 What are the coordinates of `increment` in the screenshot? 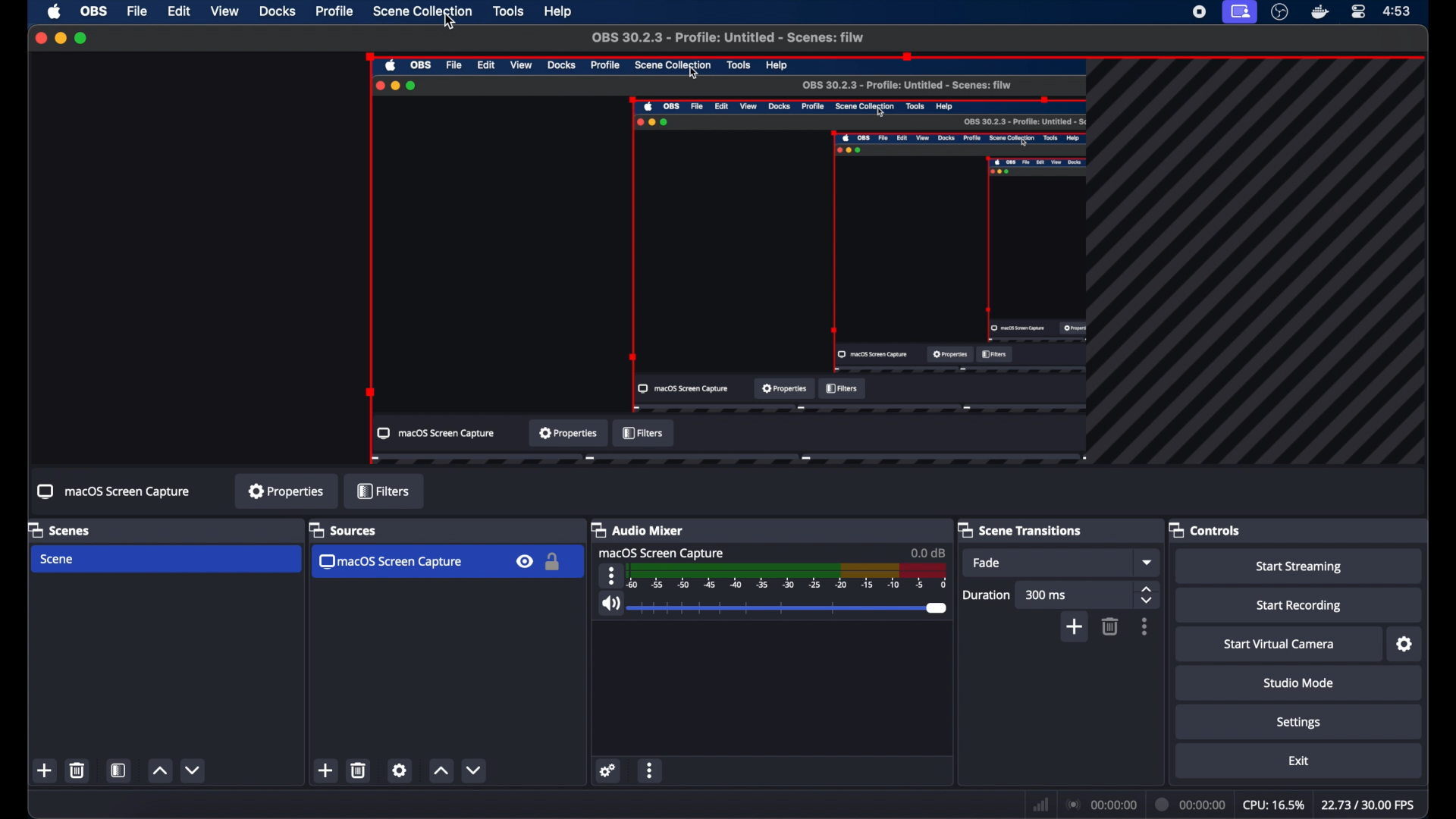 It's located at (159, 770).